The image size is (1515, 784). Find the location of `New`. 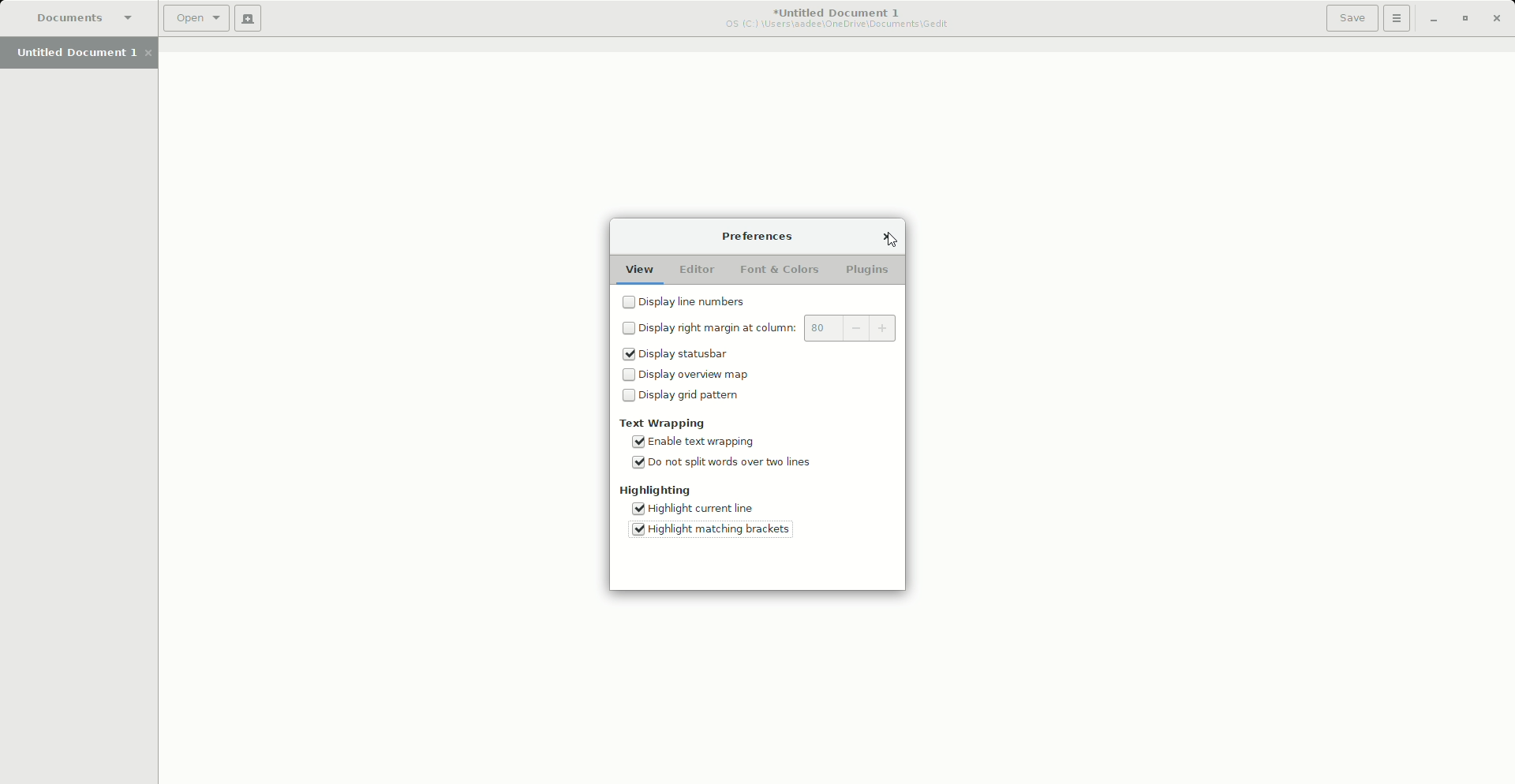

New is located at coordinates (249, 21).